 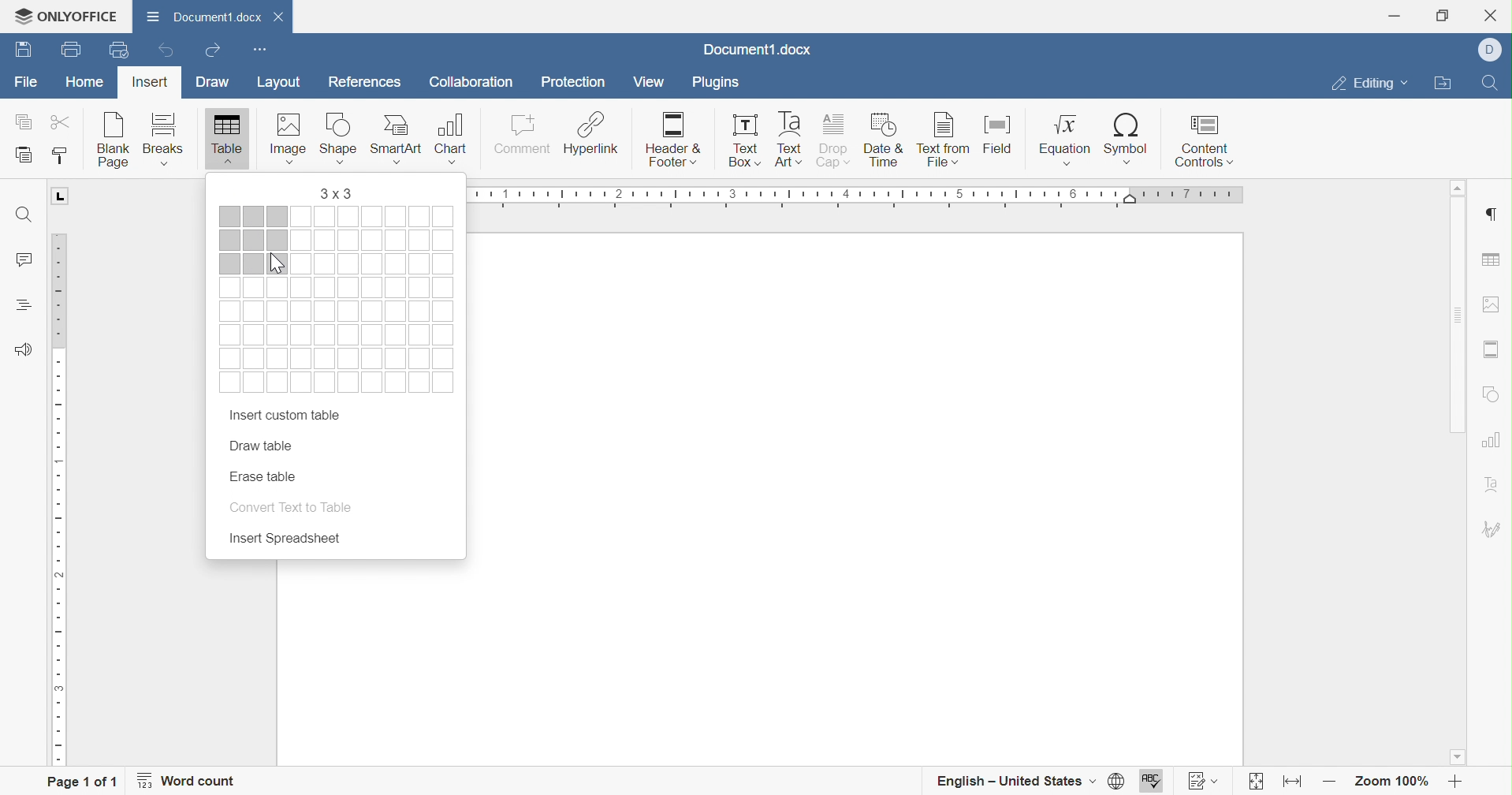 What do you see at coordinates (1460, 317) in the screenshot?
I see `Scroll bar` at bounding box center [1460, 317].